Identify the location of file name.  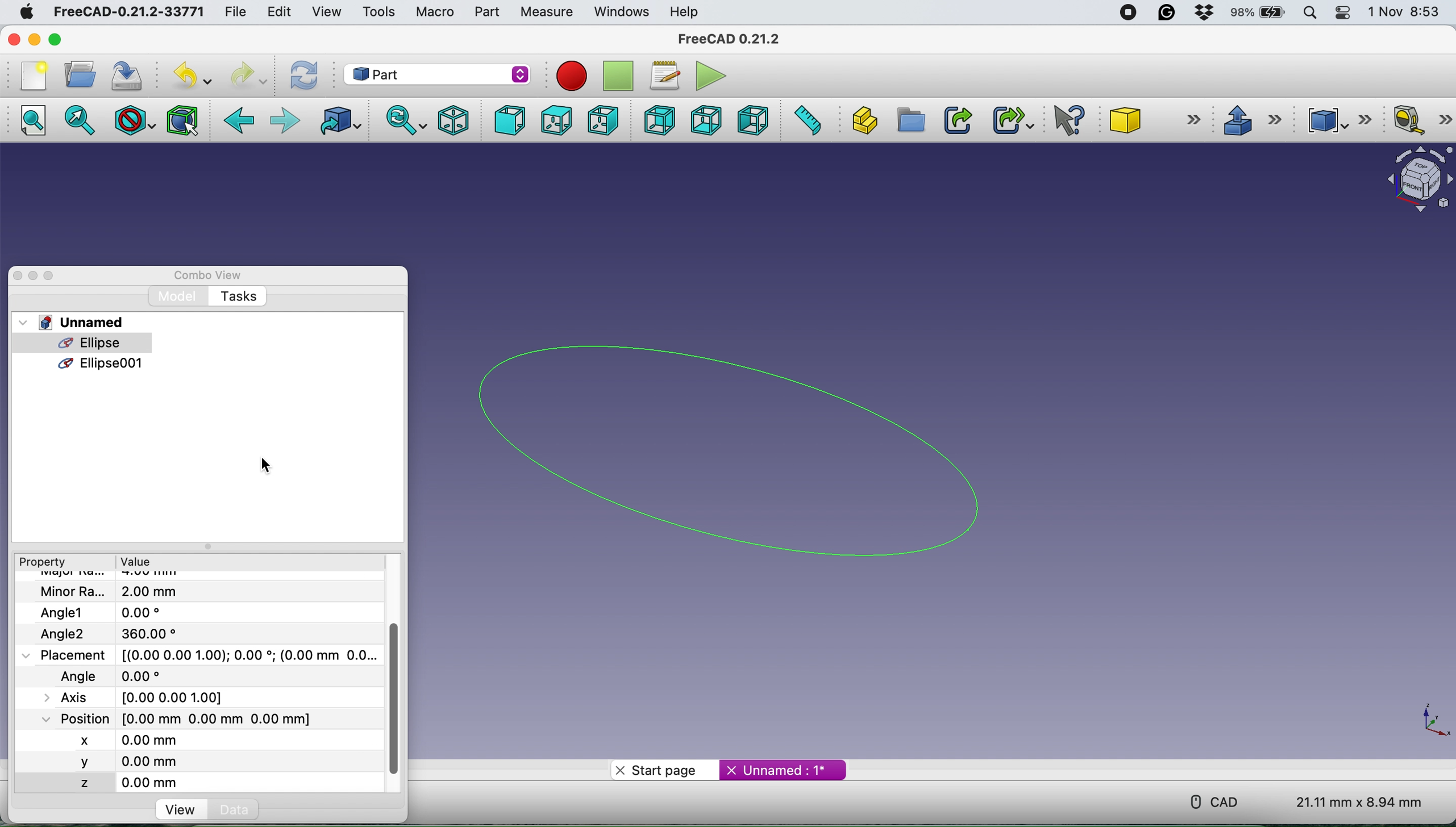
(115, 592).